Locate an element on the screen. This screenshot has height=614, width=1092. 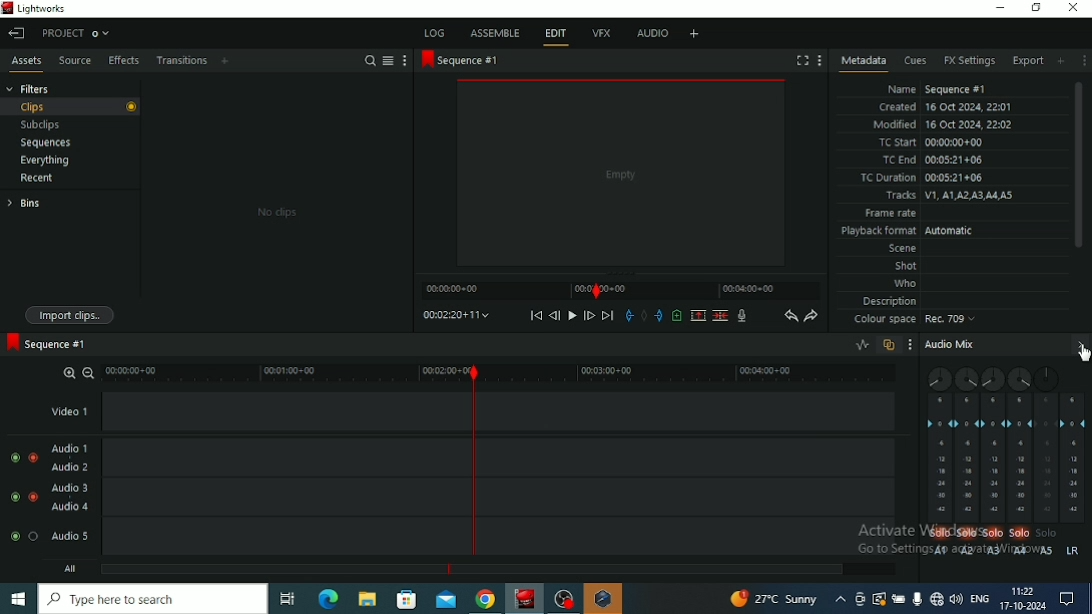
Microsoft store is located at coordinates (407, 599).